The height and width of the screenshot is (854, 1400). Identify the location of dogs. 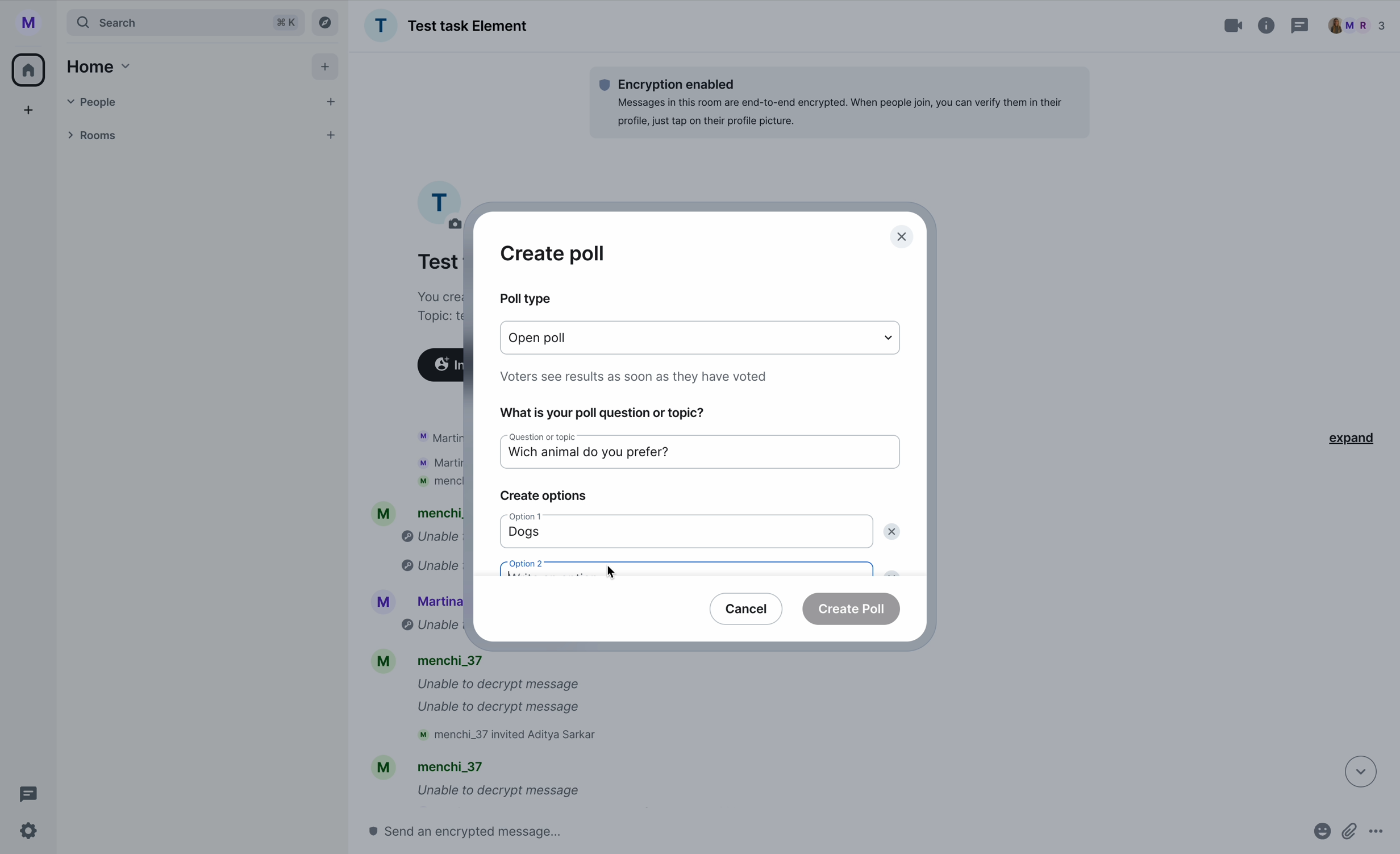
(527, 536).